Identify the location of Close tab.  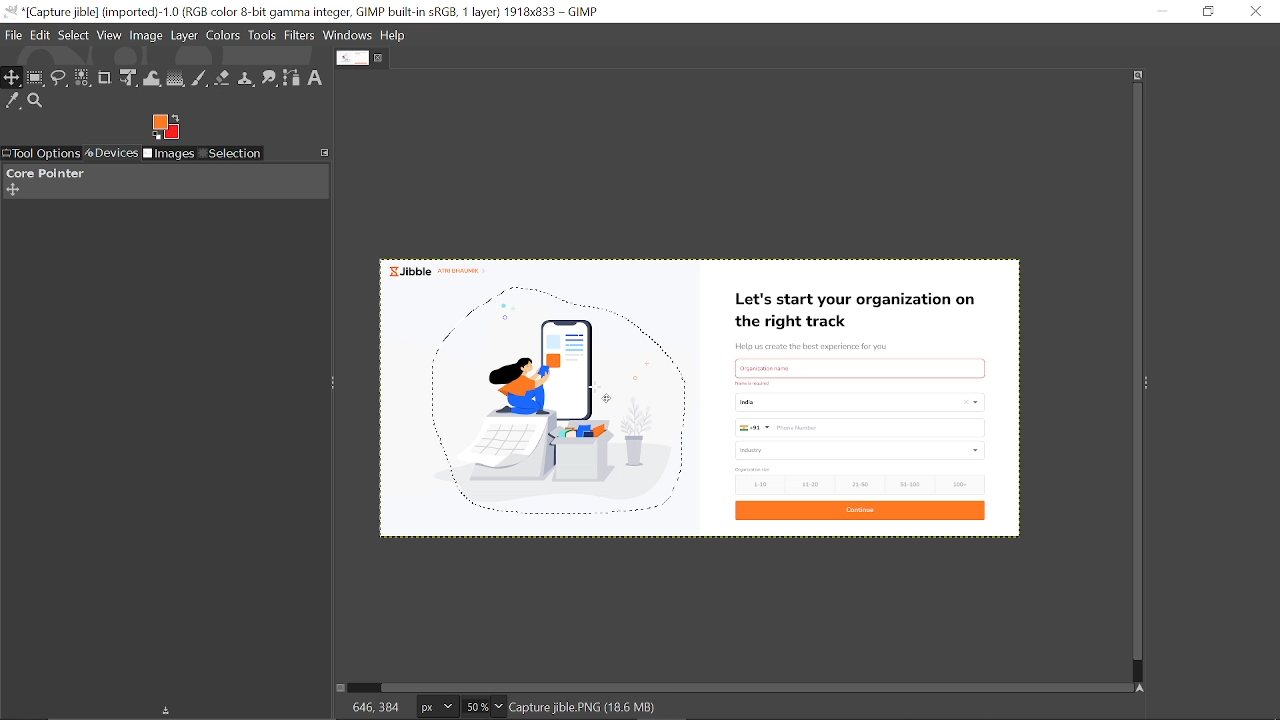
(380, 58).